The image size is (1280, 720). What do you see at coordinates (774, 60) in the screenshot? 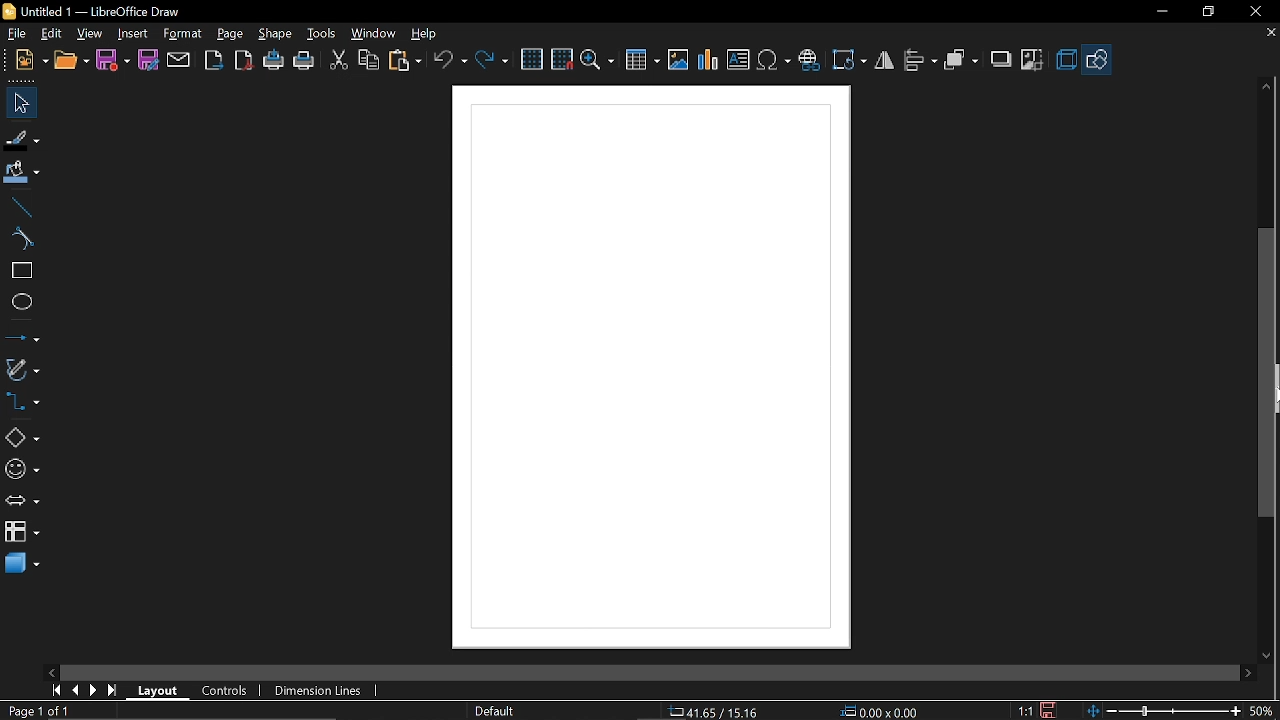
I see `insert symbol` at bounding box center [774, 60].